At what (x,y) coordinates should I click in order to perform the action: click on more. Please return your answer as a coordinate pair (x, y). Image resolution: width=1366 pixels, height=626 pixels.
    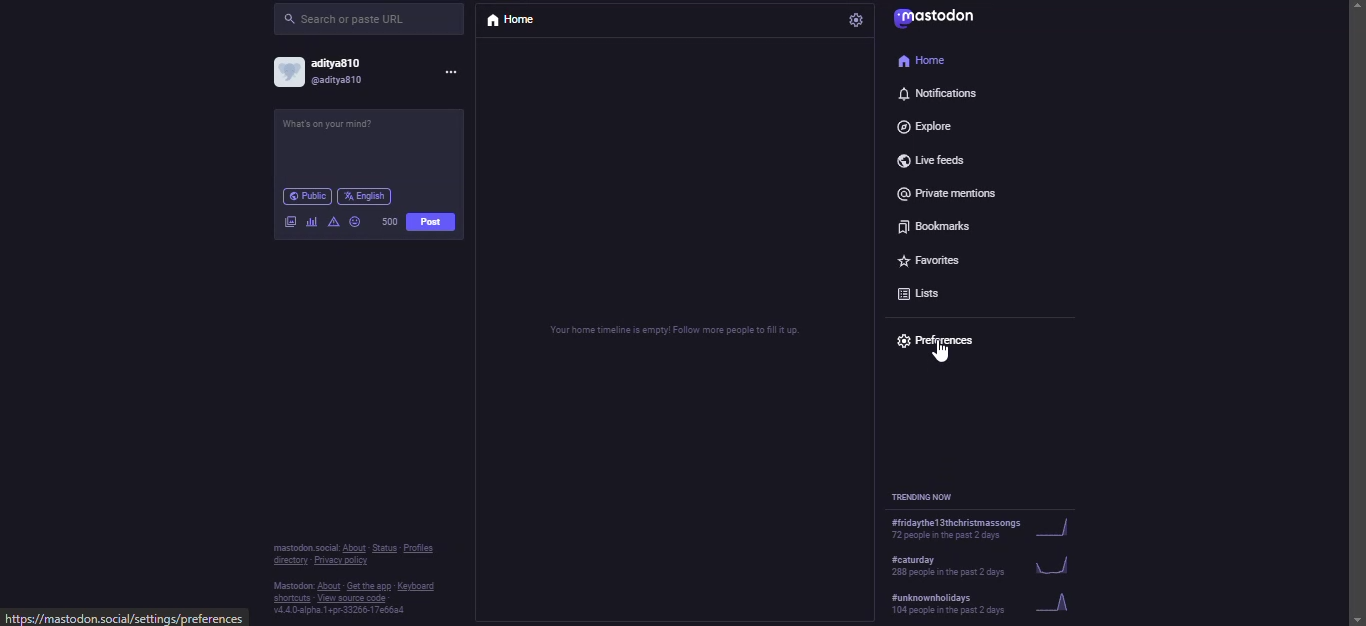
    Looking at the image, I should click on (446, 72).